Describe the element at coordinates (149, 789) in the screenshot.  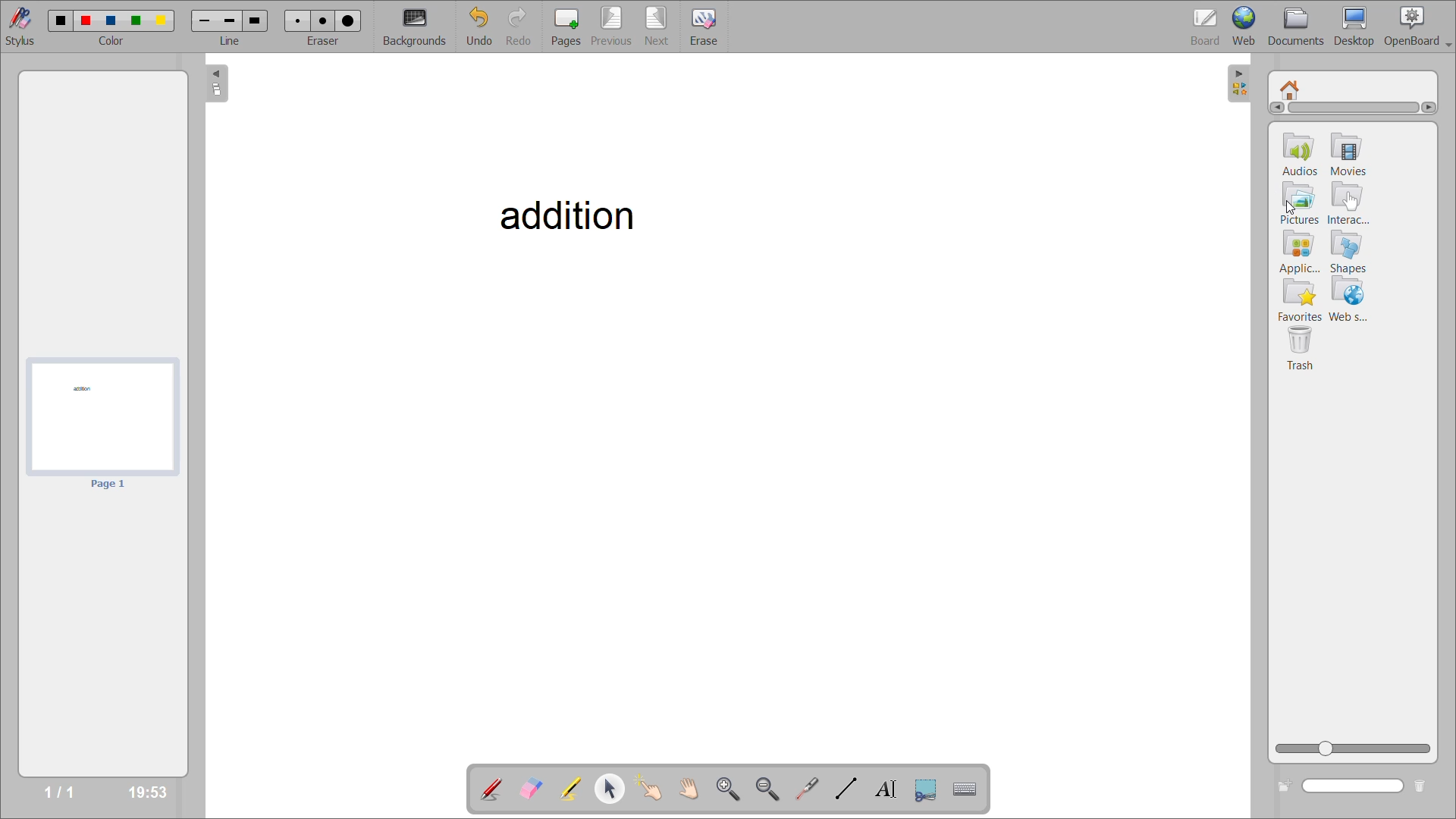
I see `timestamp` at that location.